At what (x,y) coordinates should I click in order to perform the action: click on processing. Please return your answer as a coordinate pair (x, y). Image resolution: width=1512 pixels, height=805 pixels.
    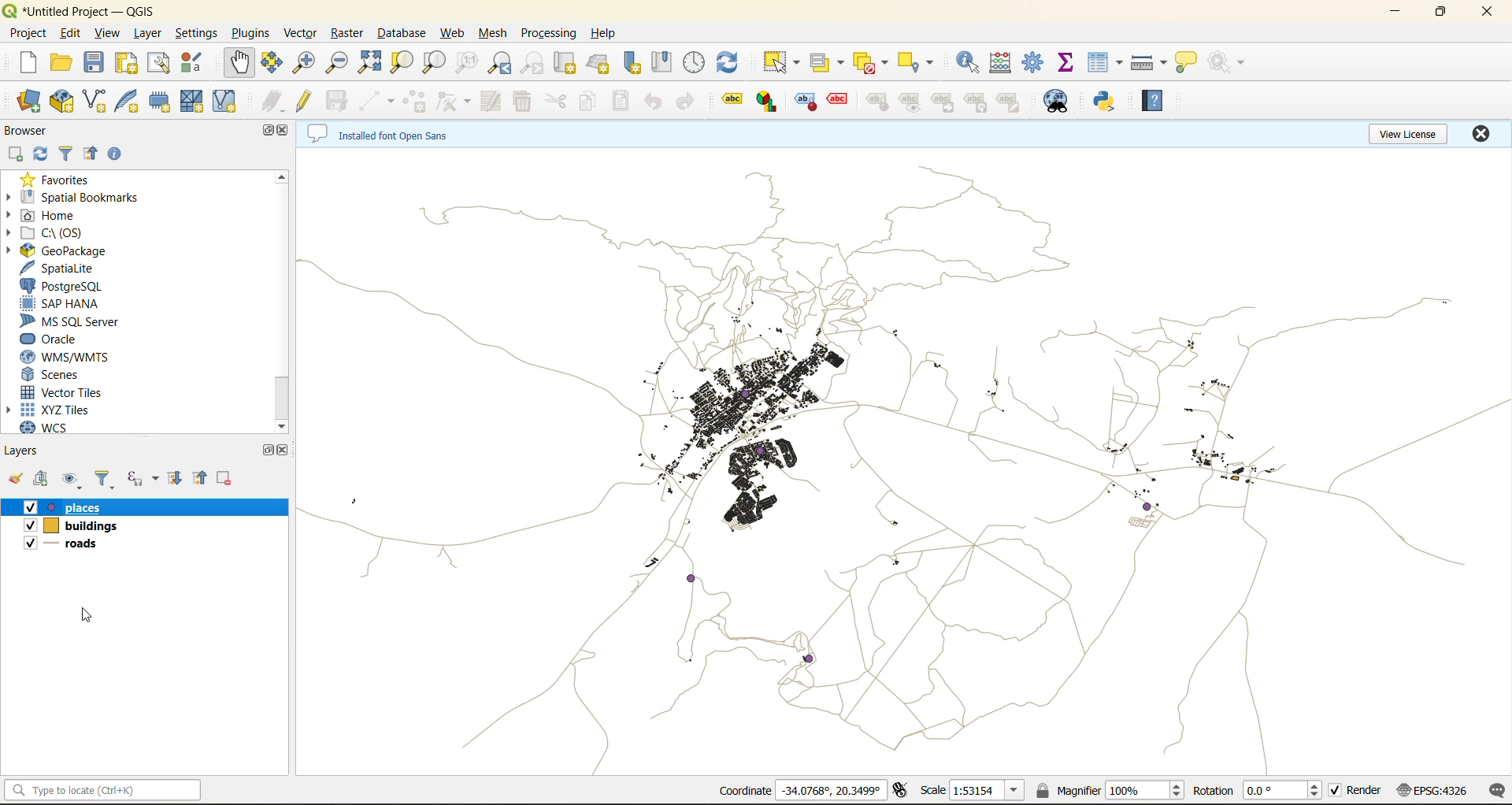
    Looking at the image, I should click on (549, 34).